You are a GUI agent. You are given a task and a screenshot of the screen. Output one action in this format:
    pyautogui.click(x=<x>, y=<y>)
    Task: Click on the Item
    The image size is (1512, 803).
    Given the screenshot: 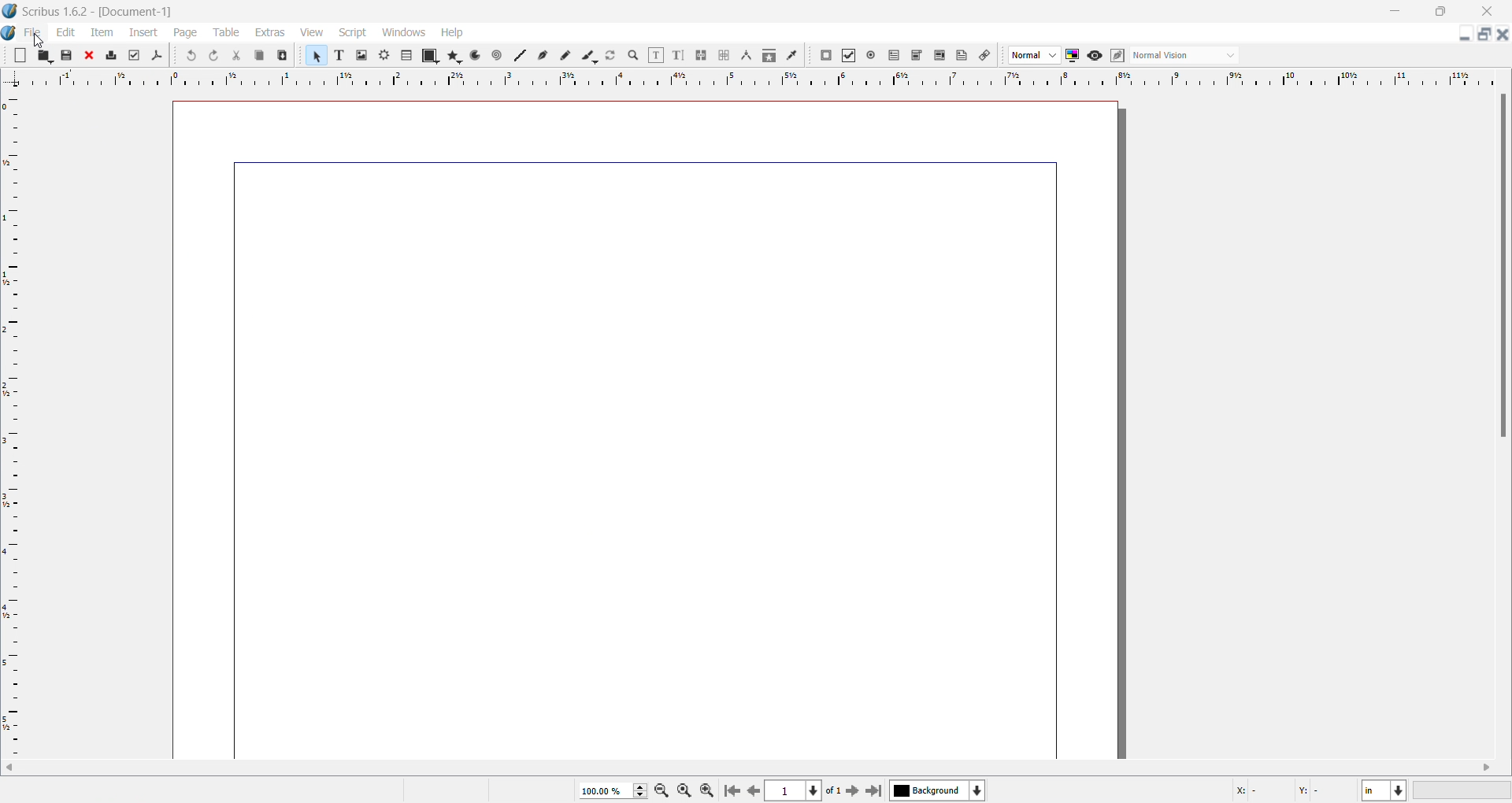 What is the action you would take?
    pyautogui.click(x=105, y=34)
    